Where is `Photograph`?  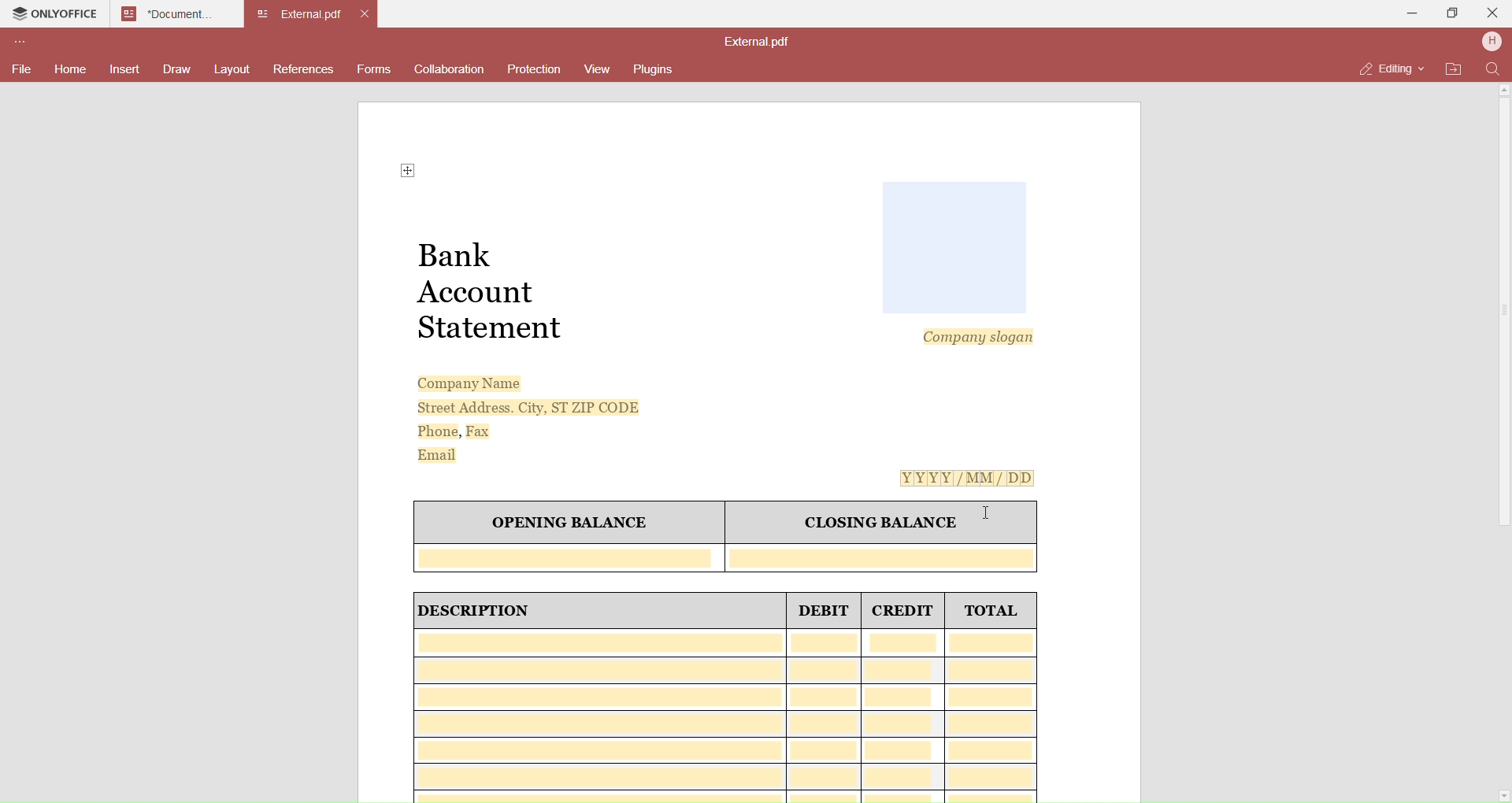 Photograph is located at coordinates (954, 246).